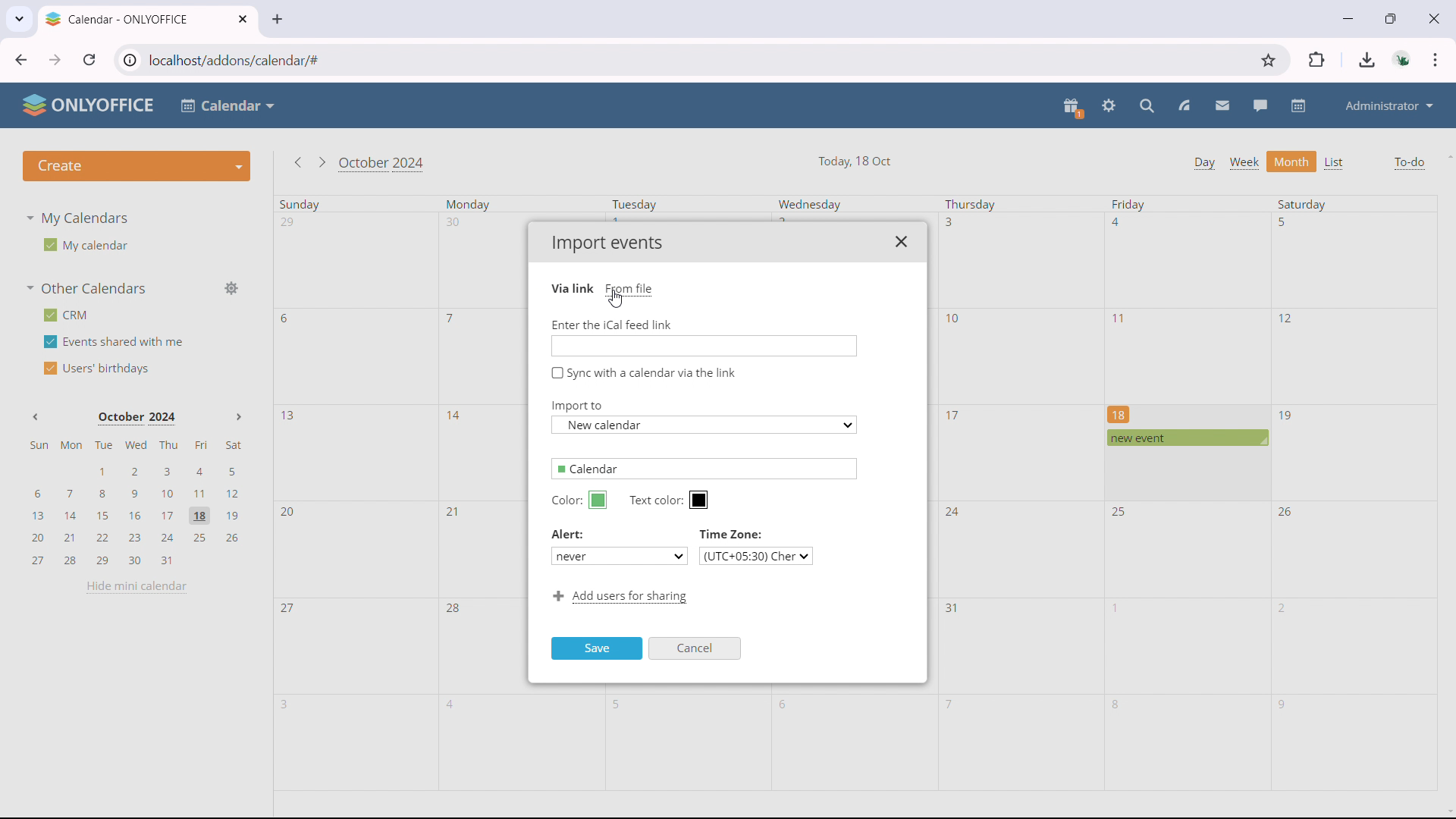 This screenshot has height=819, width=1456. I want to click on present, so click(1073, 108).